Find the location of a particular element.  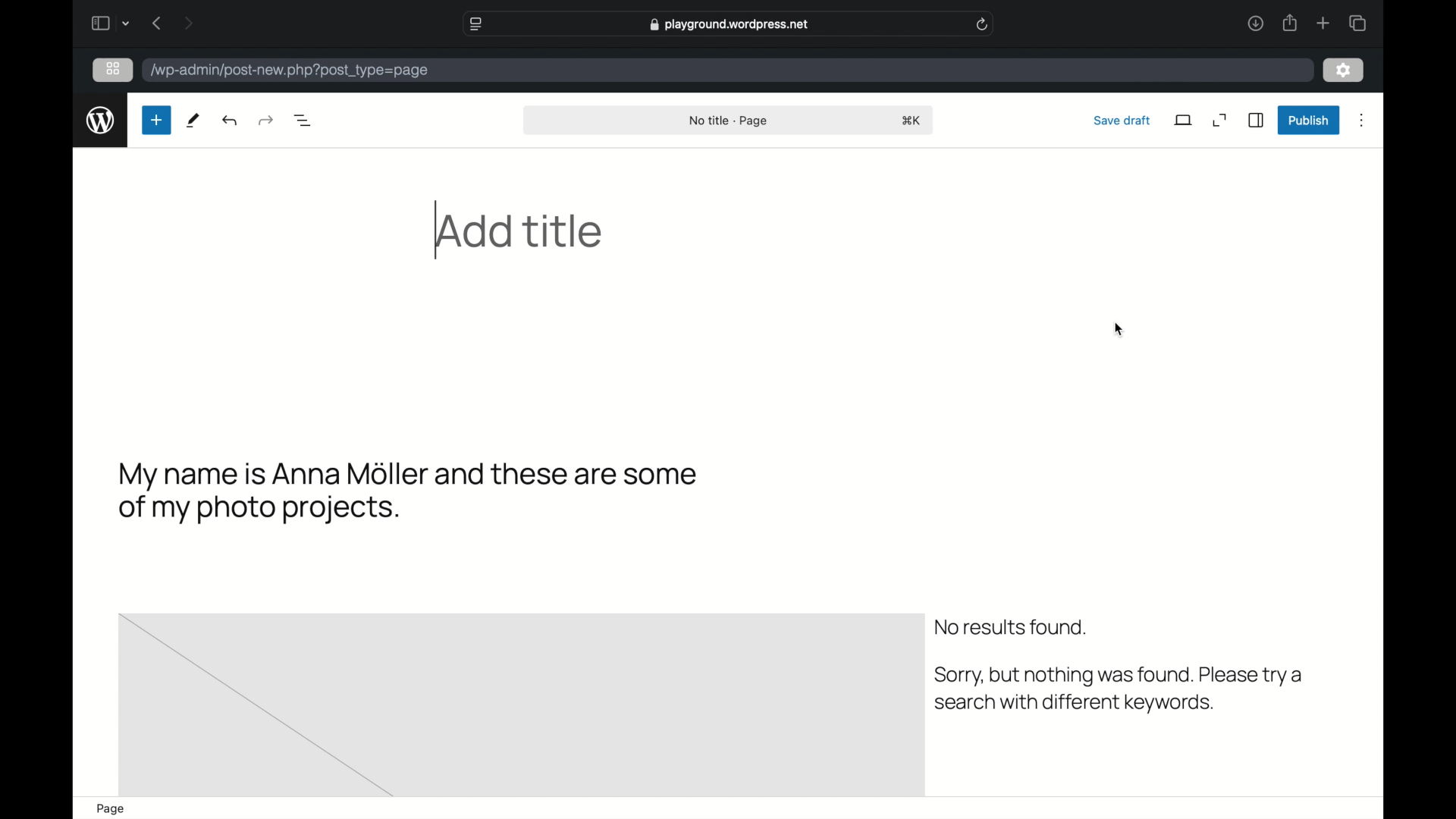

grid is located at coordinates (115, 69).